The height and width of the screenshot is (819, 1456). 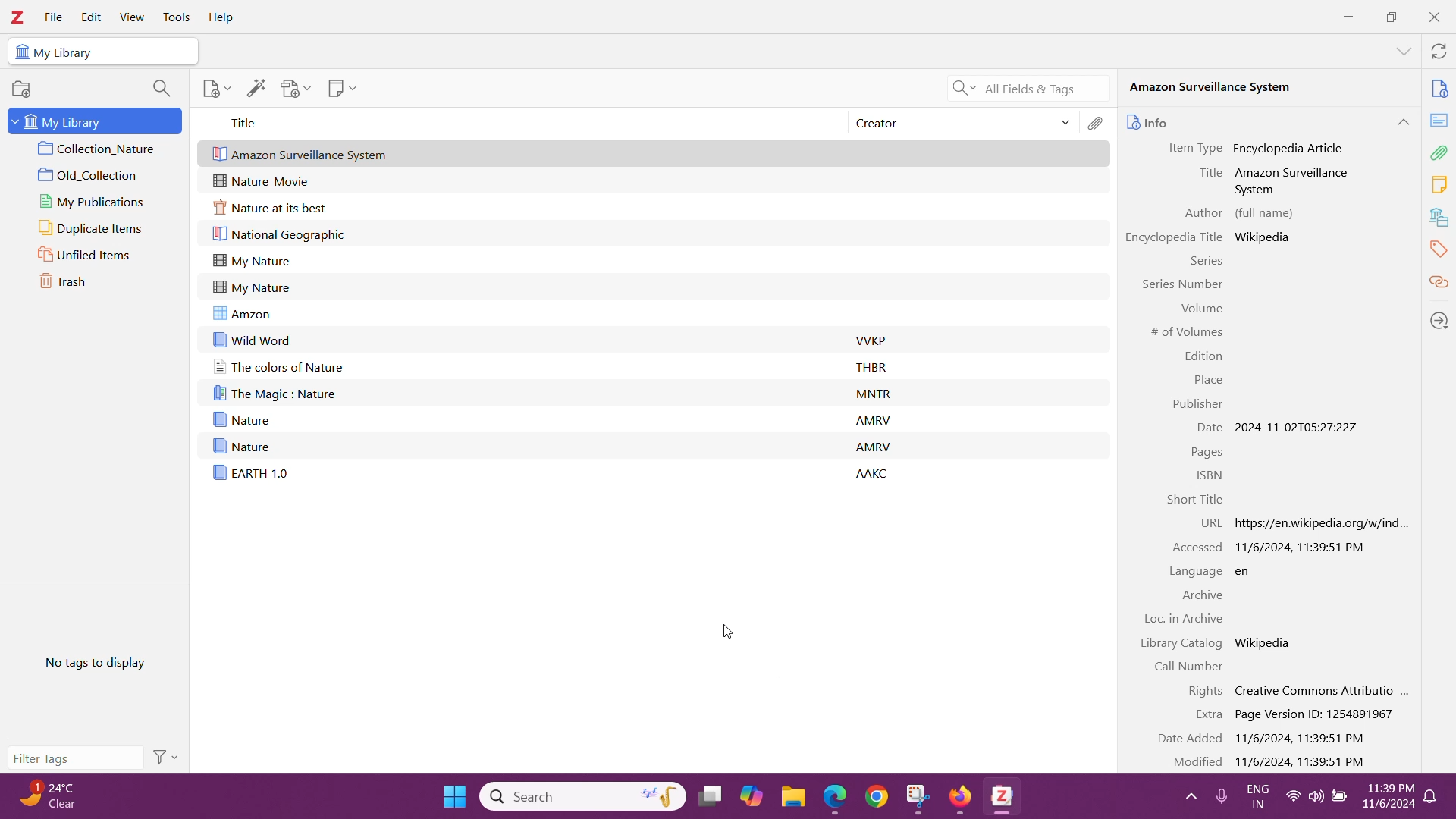 I want to click on My Nature, so click(x=251, y=286).